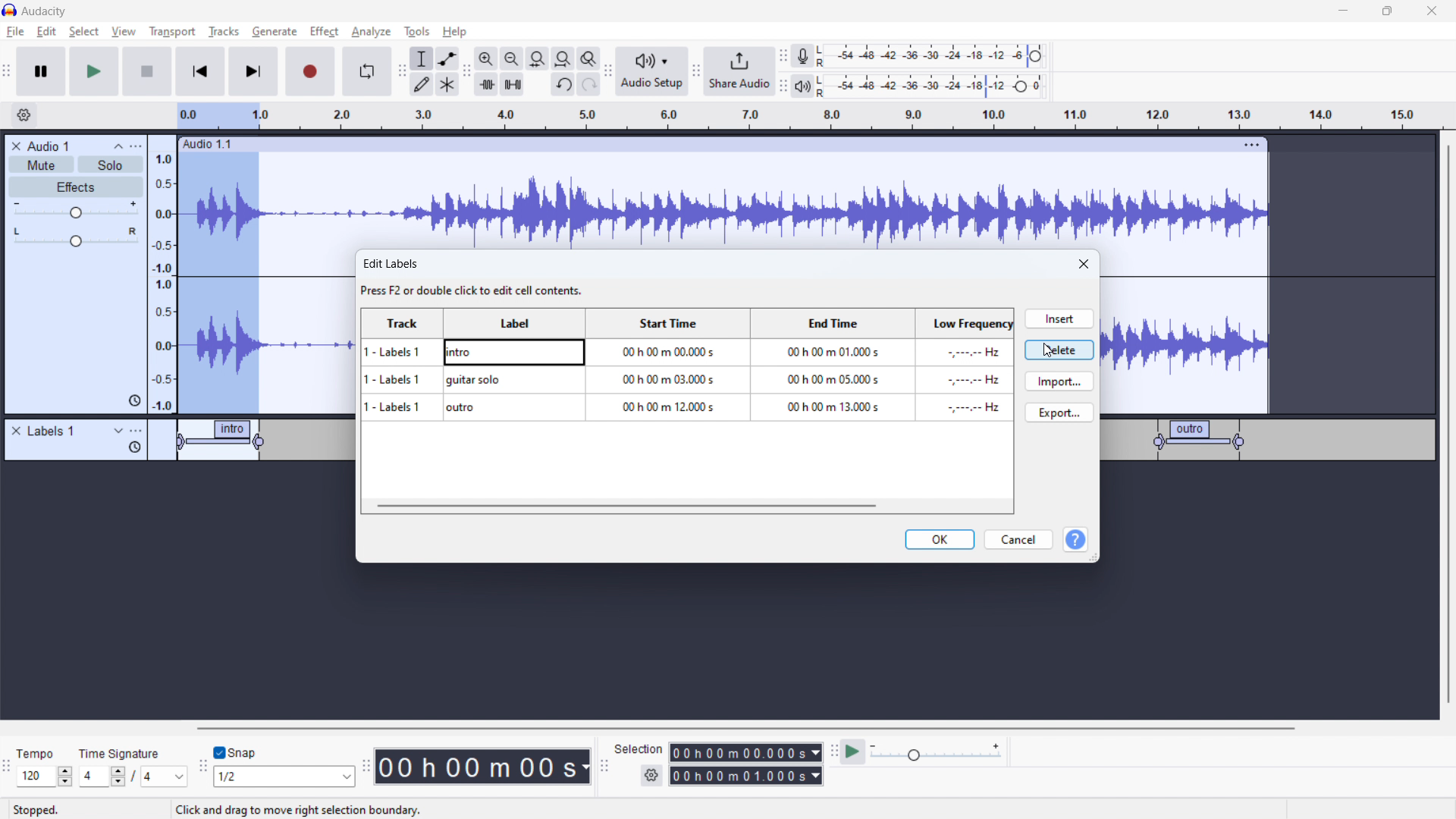 This screenshot has width=1456, height=819. I want to click on skip to the starting, so click(199, 72).